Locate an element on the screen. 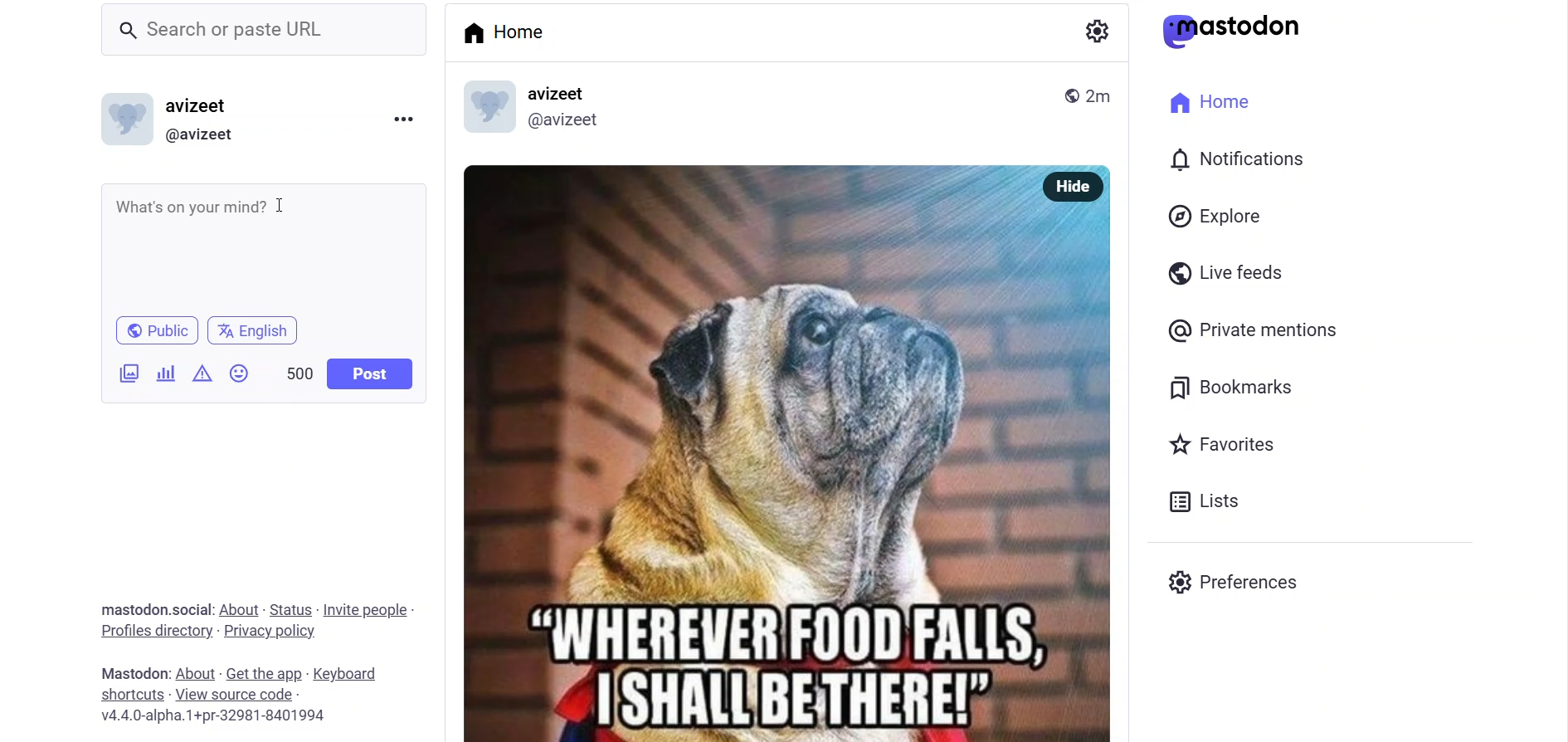 The height and width of the screenshot is (742, 1568). mastodon is located at coordinates (1235, 30).